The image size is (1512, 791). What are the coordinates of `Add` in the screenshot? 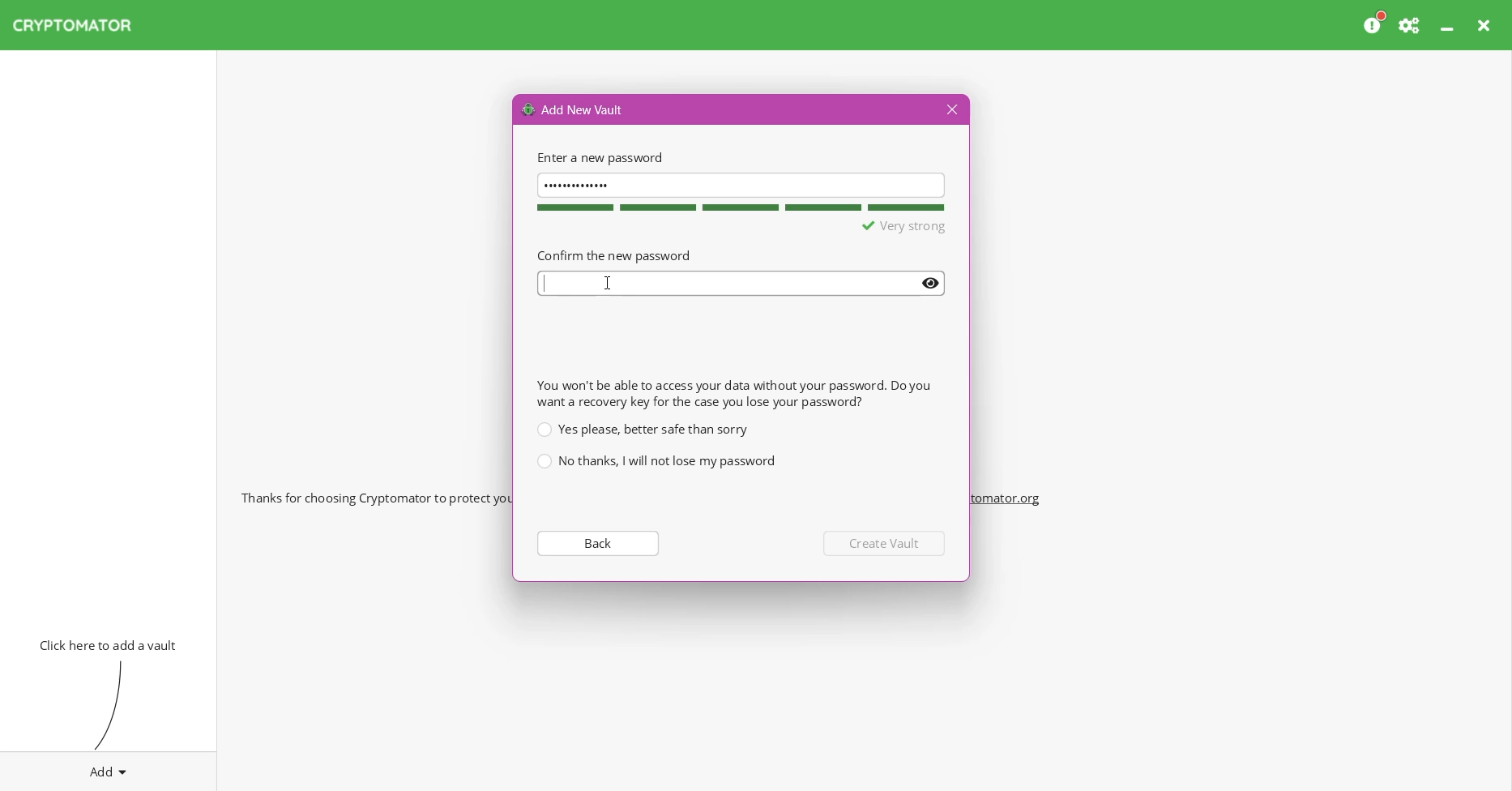 It's located at (109, 768).